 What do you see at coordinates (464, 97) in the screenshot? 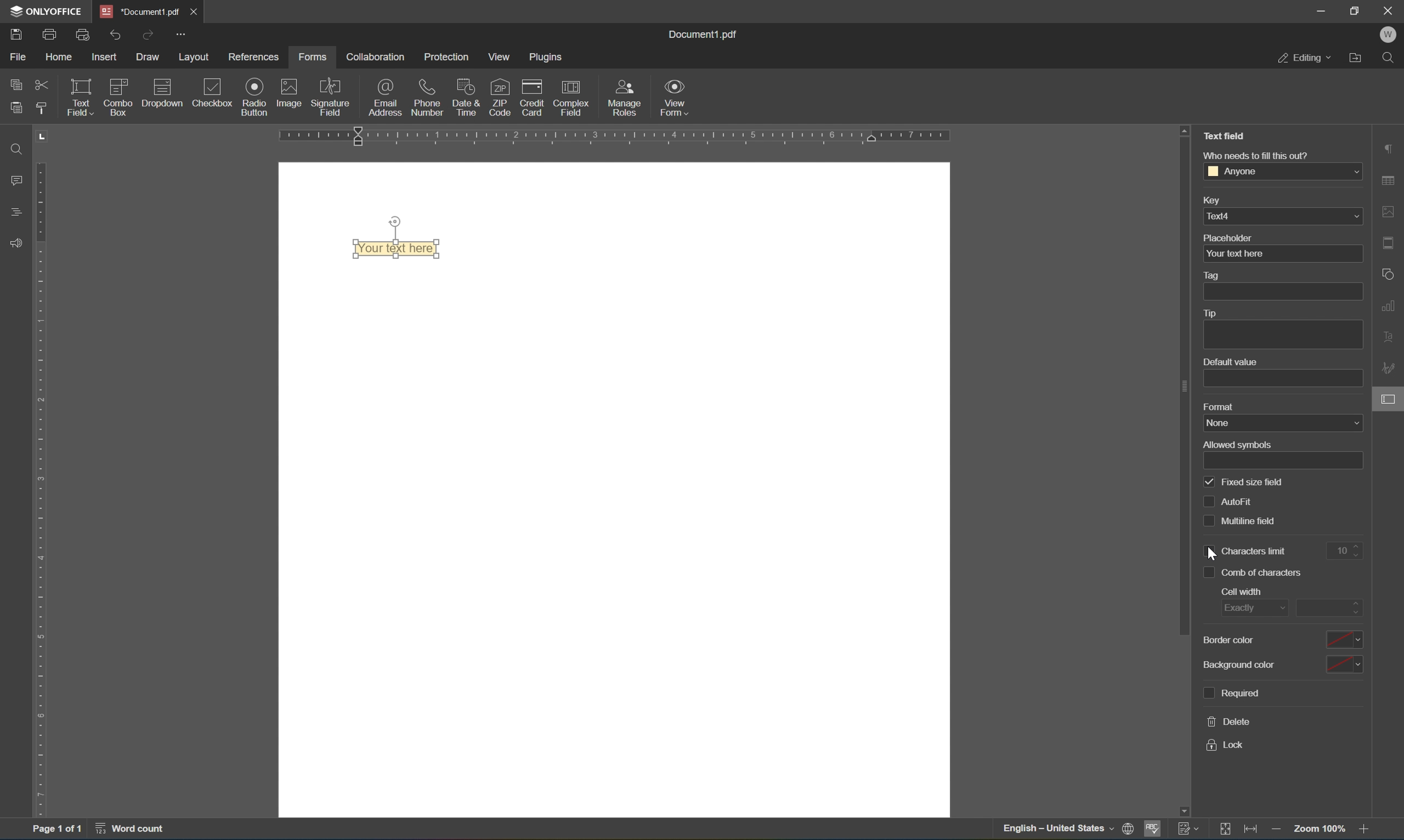
I see `date and time` at bounding box center [464, 97].